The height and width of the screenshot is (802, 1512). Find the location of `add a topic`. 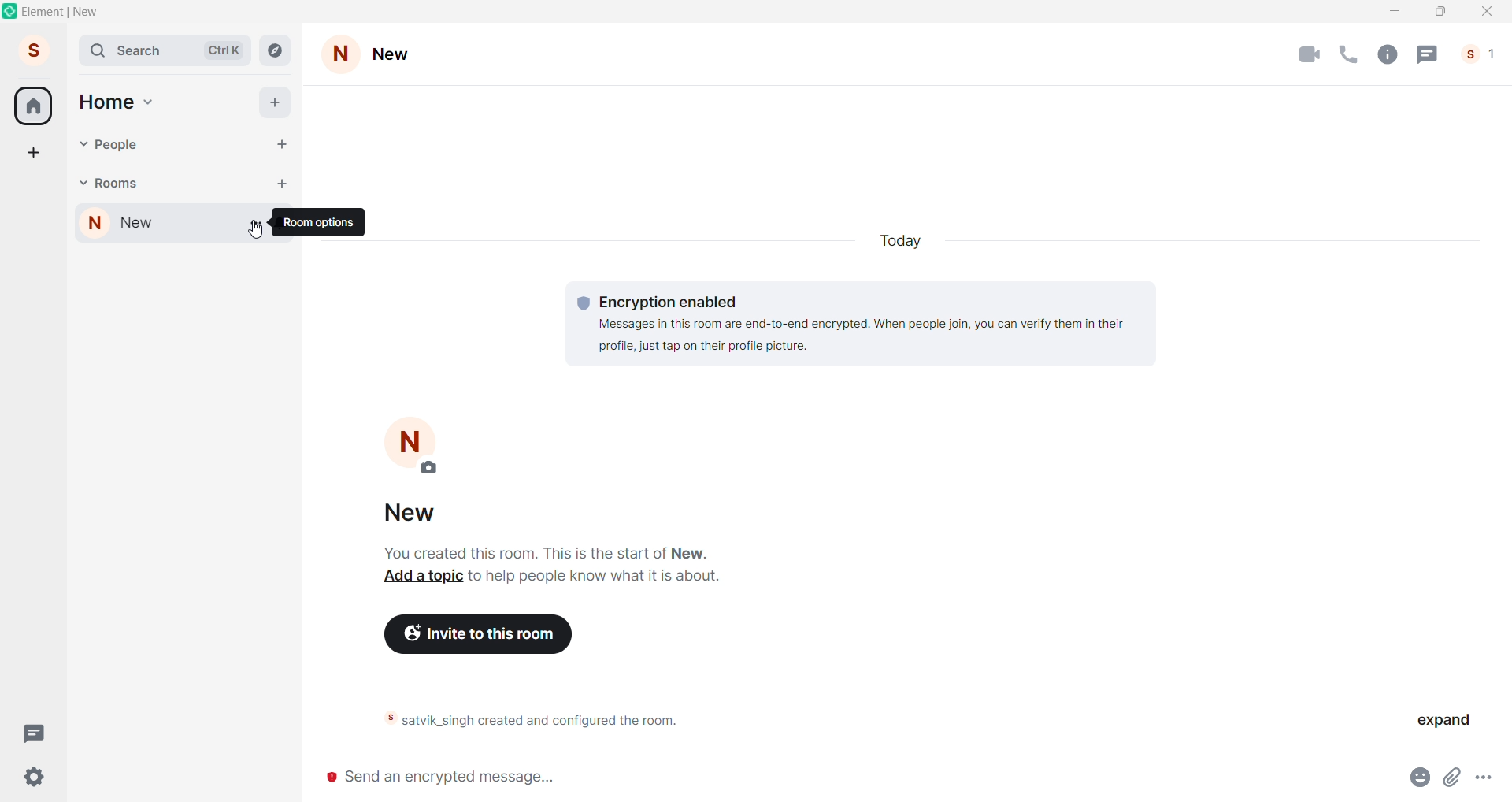

add a topic is located at coordinates (417, 578).